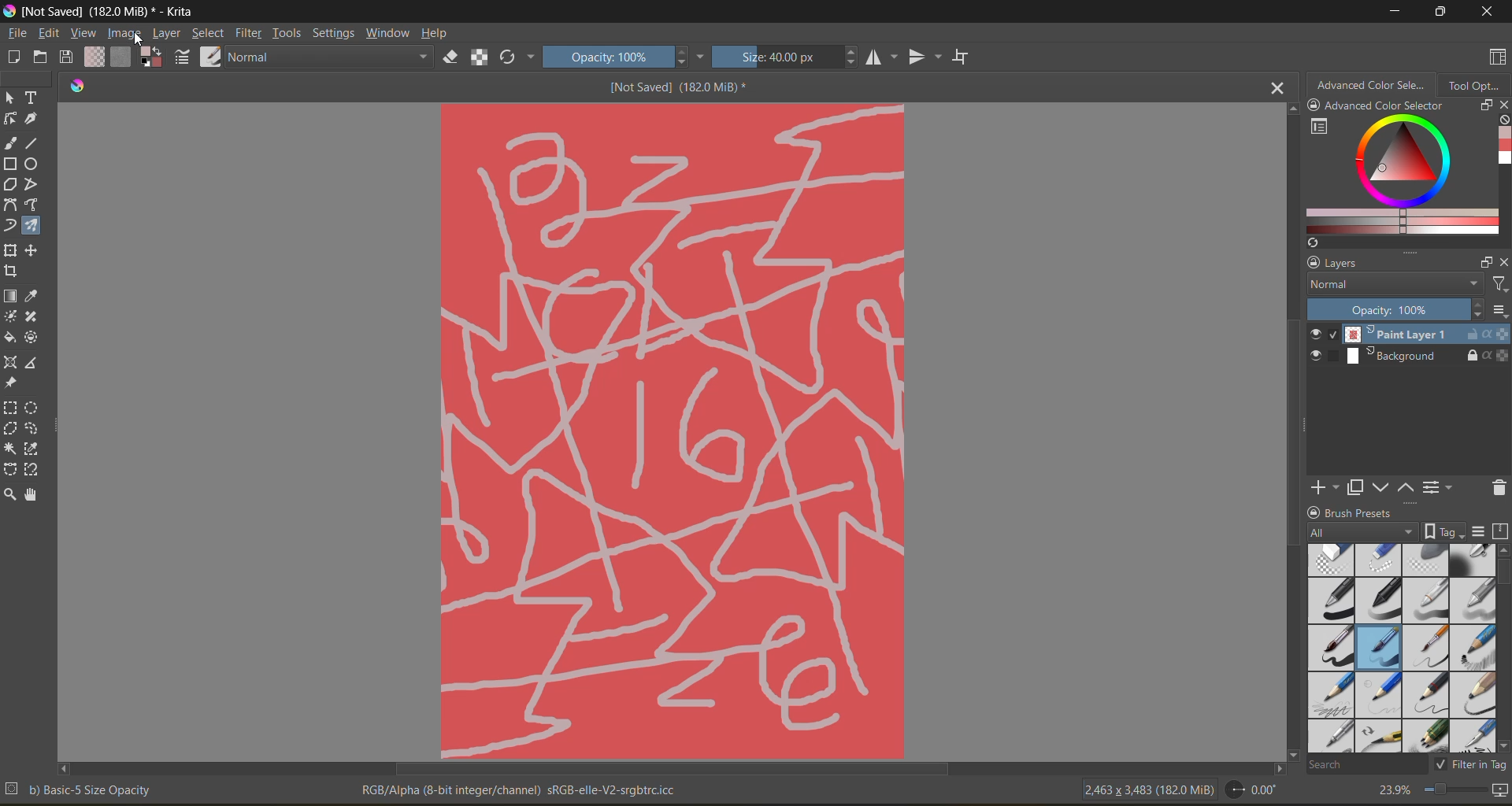 This screenshot has height=806, width=1512. Describe the element at coordinates (1437, 13) in the screenshot. I see `maximize` at that location.